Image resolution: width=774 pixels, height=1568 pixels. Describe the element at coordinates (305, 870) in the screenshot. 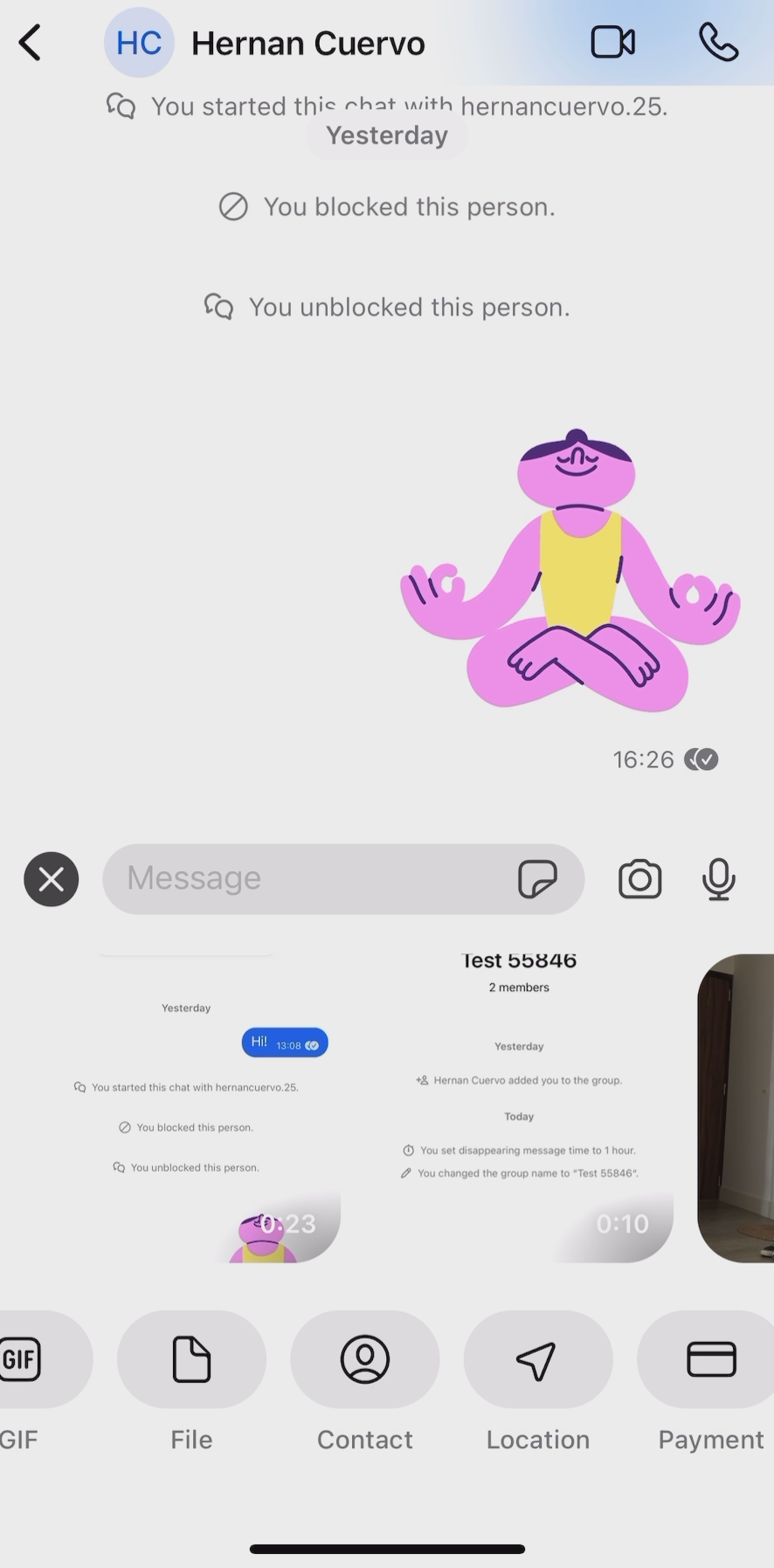

I see `message bar` at that location.